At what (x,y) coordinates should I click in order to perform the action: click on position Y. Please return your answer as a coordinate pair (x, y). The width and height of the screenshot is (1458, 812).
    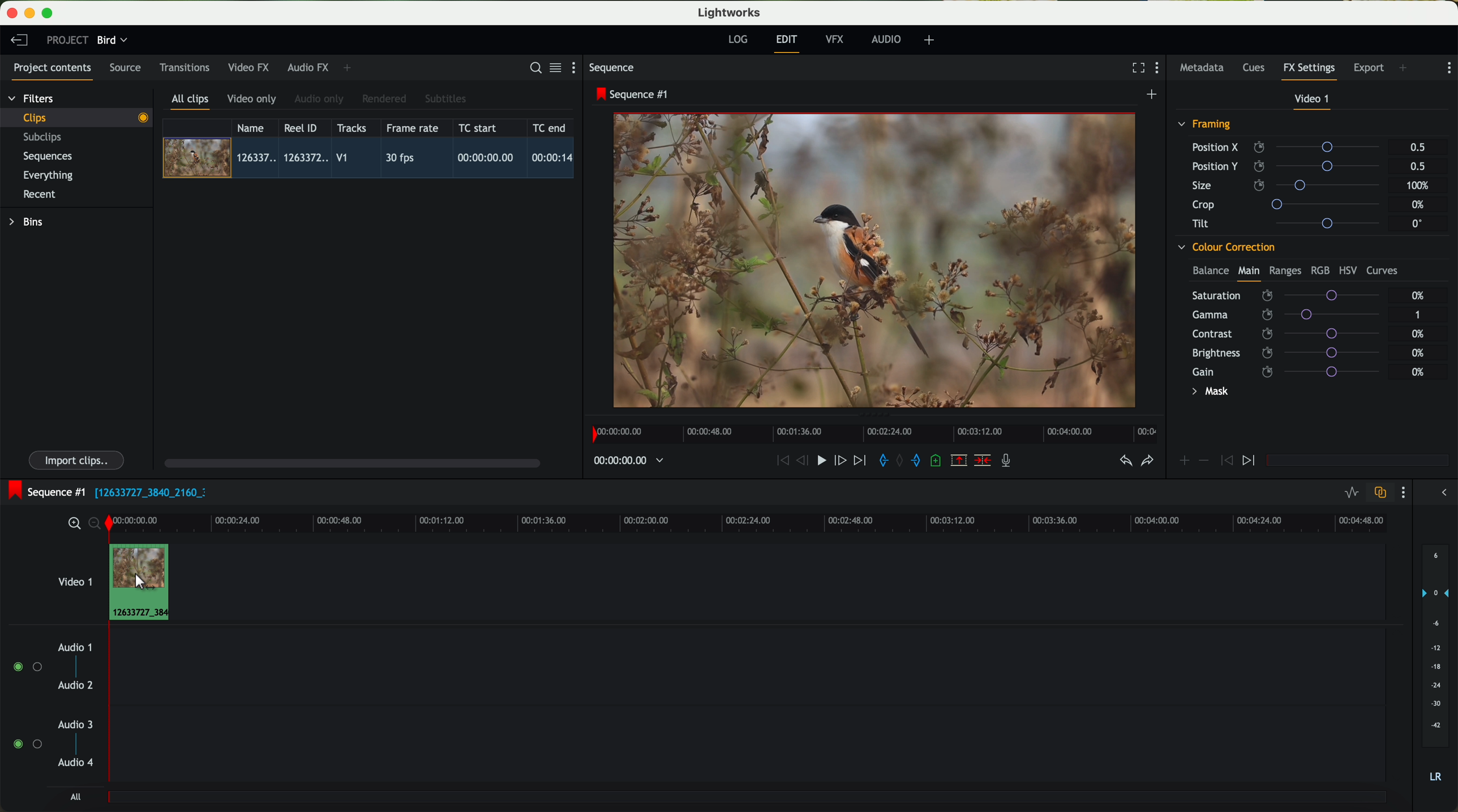
    Looking at the image, I should click on (1290, 166).